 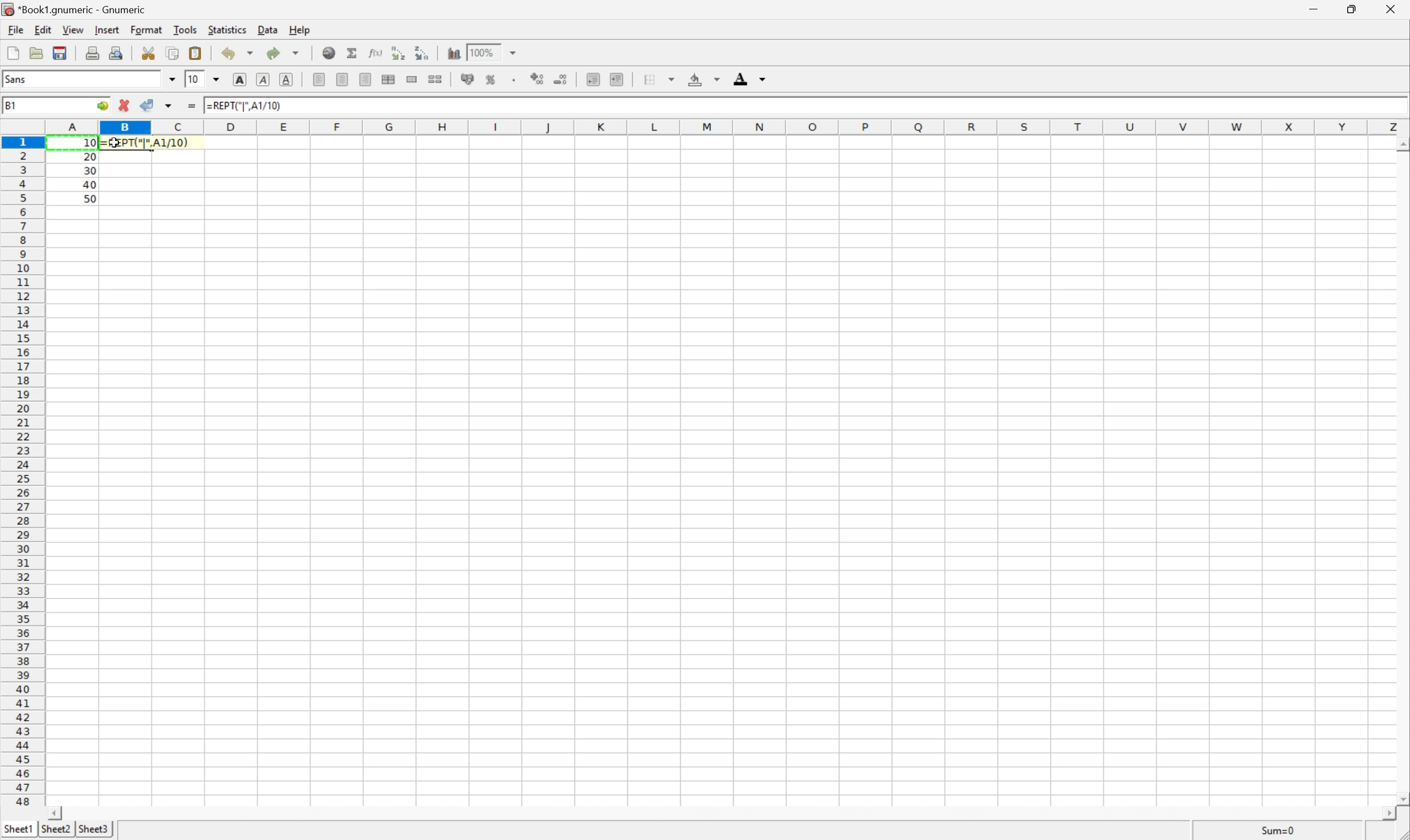 What do you see at coordinates (353, 52) in the screenshot?
I see `Sum in current cell` at bounding box center [353, 52].